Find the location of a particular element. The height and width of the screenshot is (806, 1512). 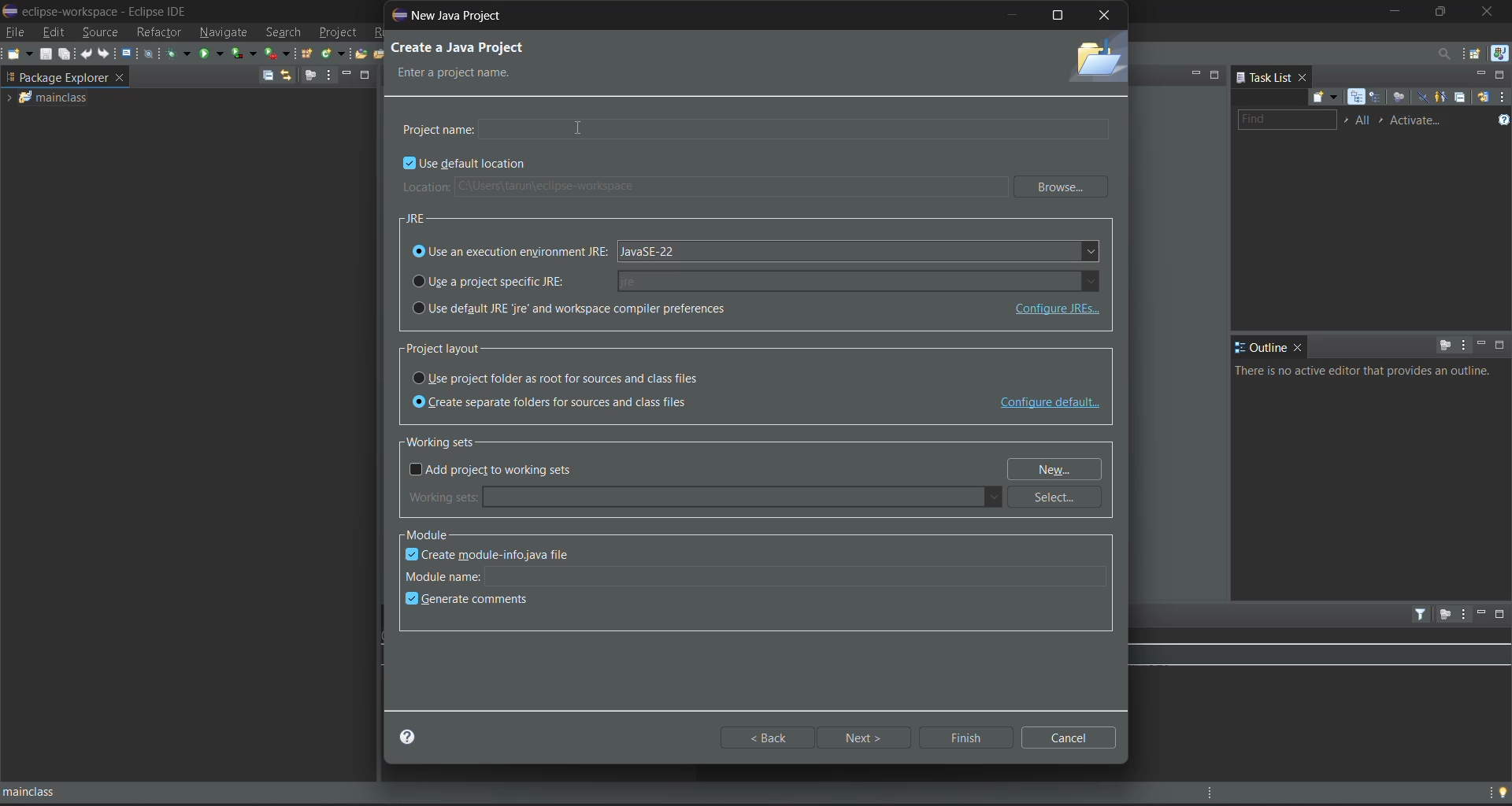

browse is located at coordinates (1064, 187).